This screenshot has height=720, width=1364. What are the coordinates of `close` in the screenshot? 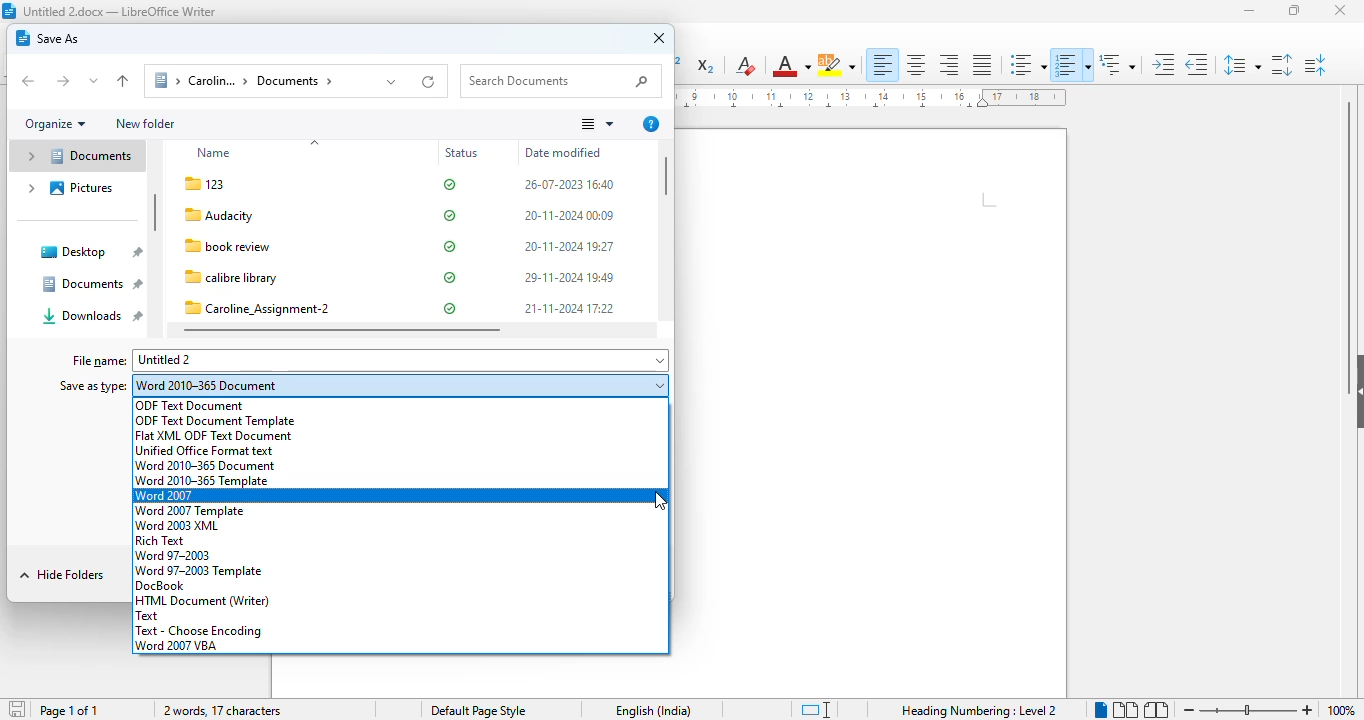 It's located at (1341, 11).